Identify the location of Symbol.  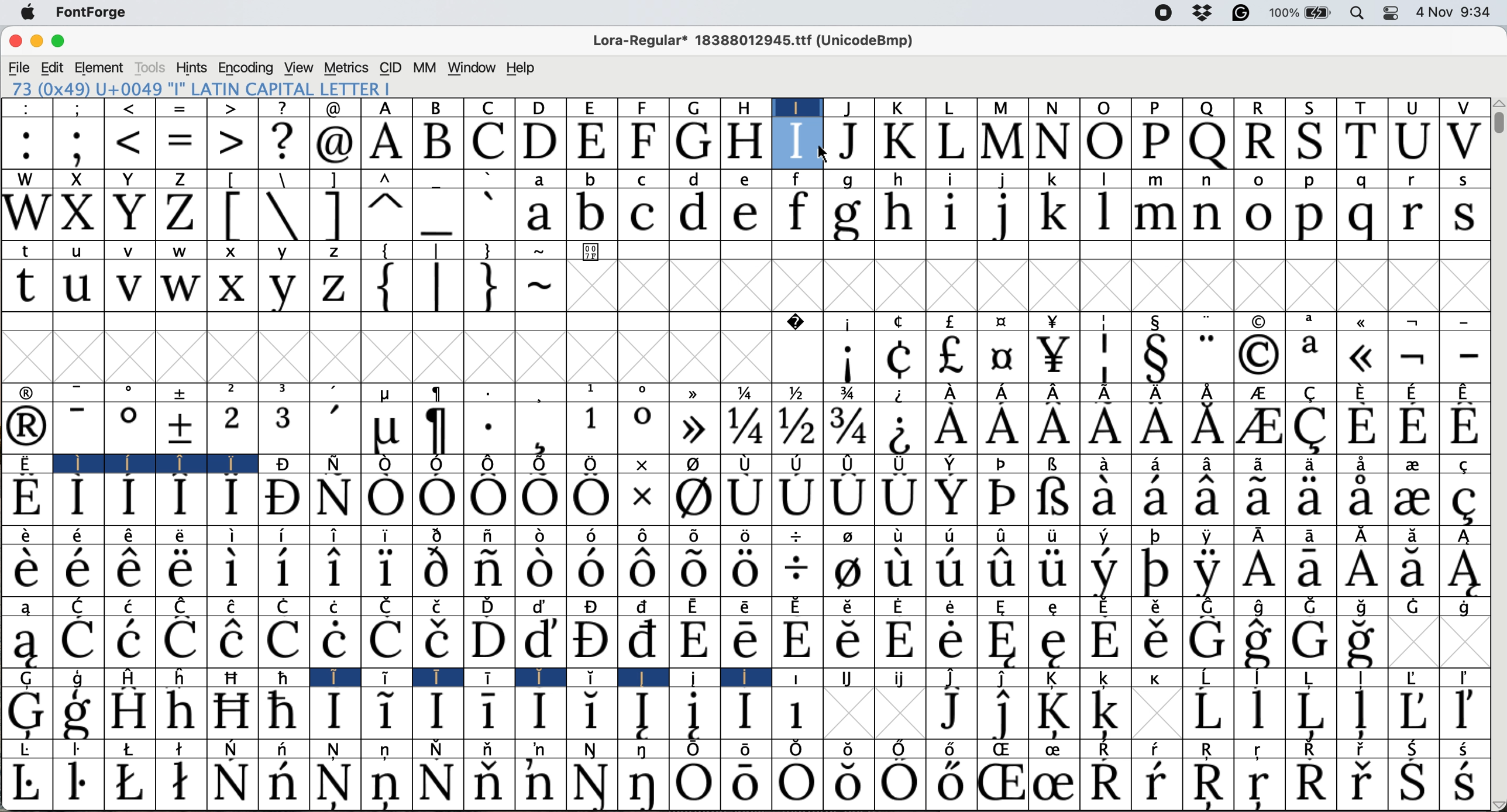
(592, 252).